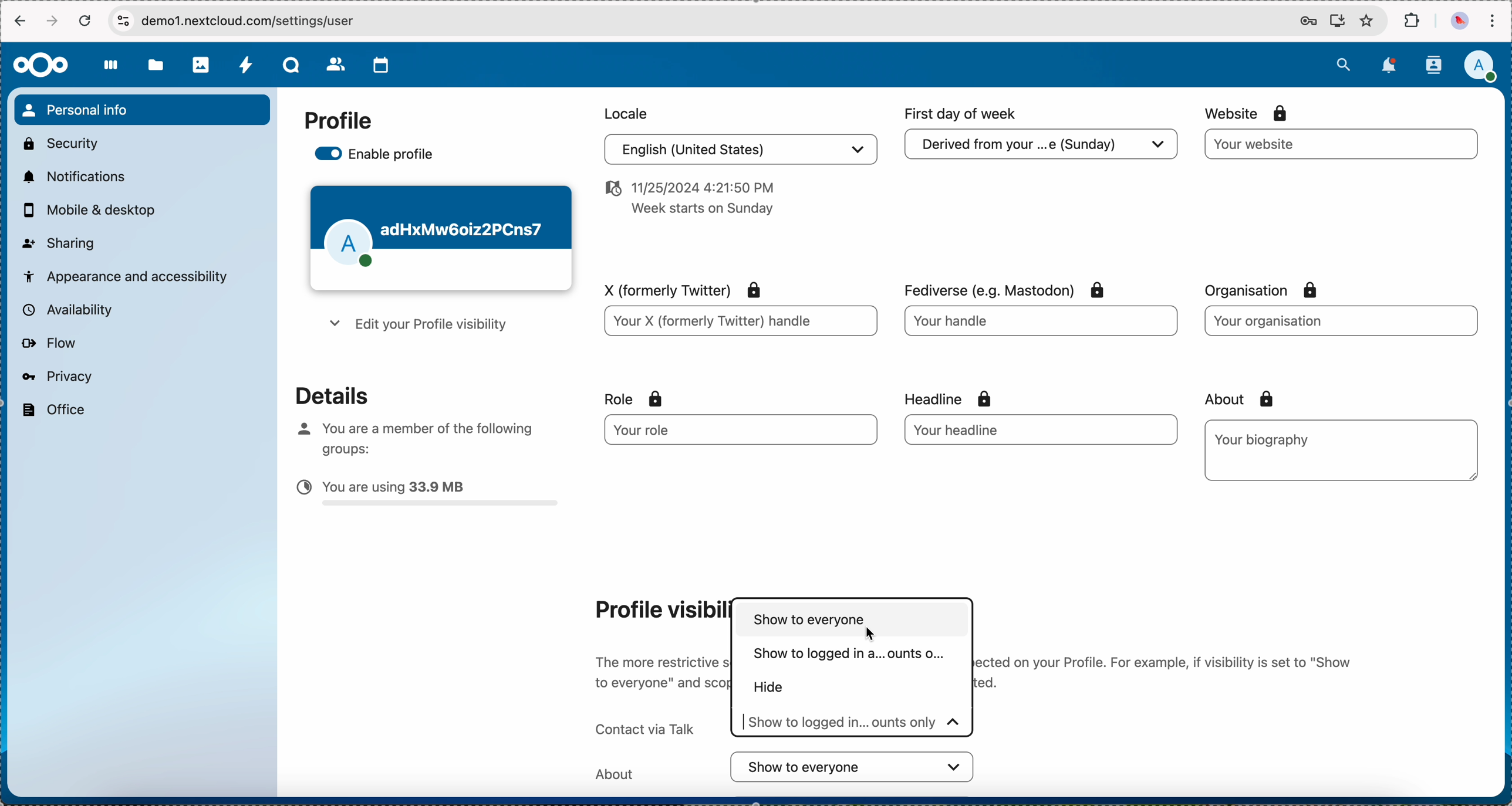  I want to click on edit your profile visibility, so click(415, 327).